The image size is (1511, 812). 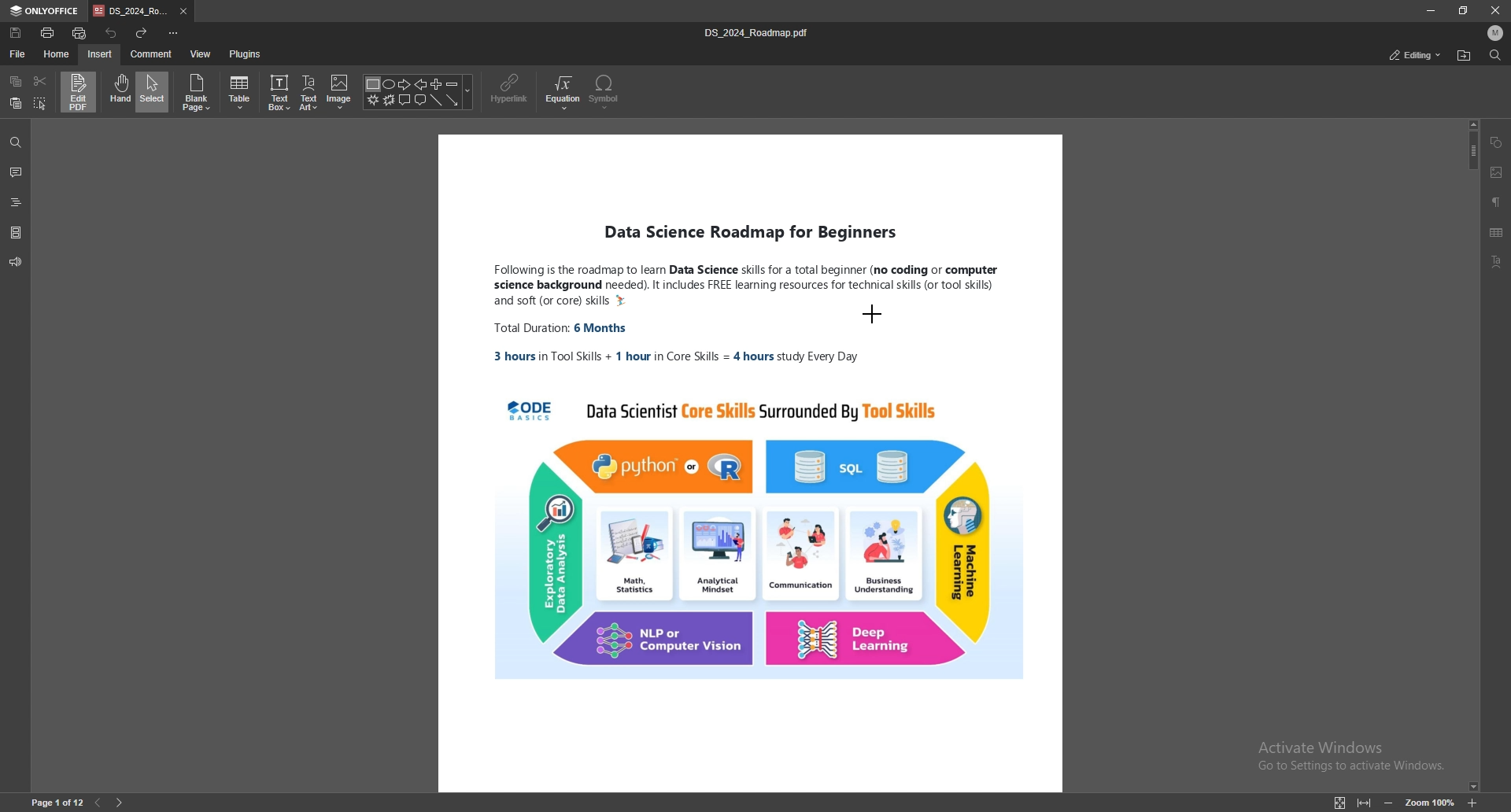 I want to click on cursor, so click(x=877, y=318).